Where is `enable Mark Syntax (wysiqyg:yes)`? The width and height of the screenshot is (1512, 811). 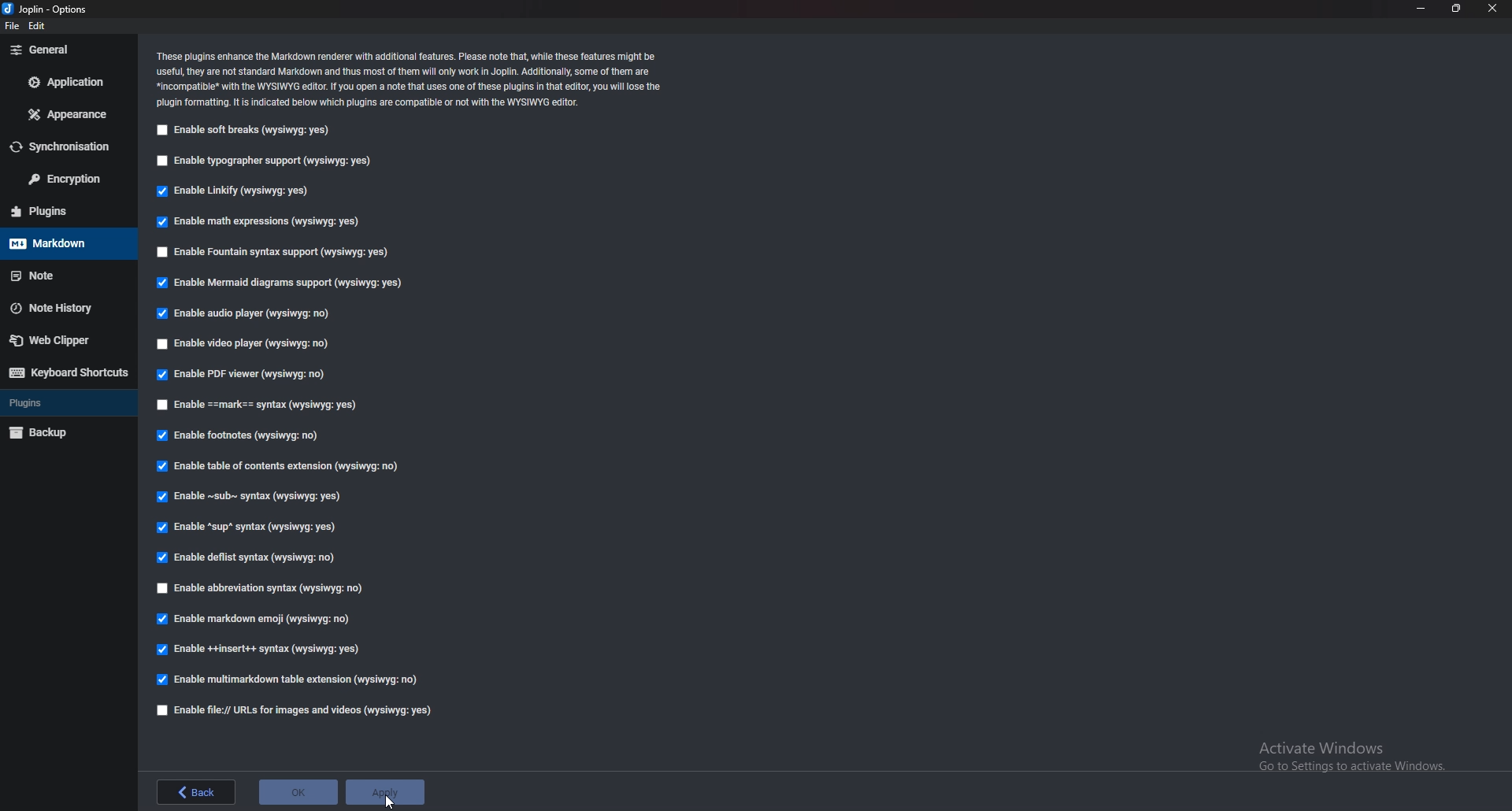
enable Mark Syntax (wysiqyg:yes) is located at coordinates (273, 406).